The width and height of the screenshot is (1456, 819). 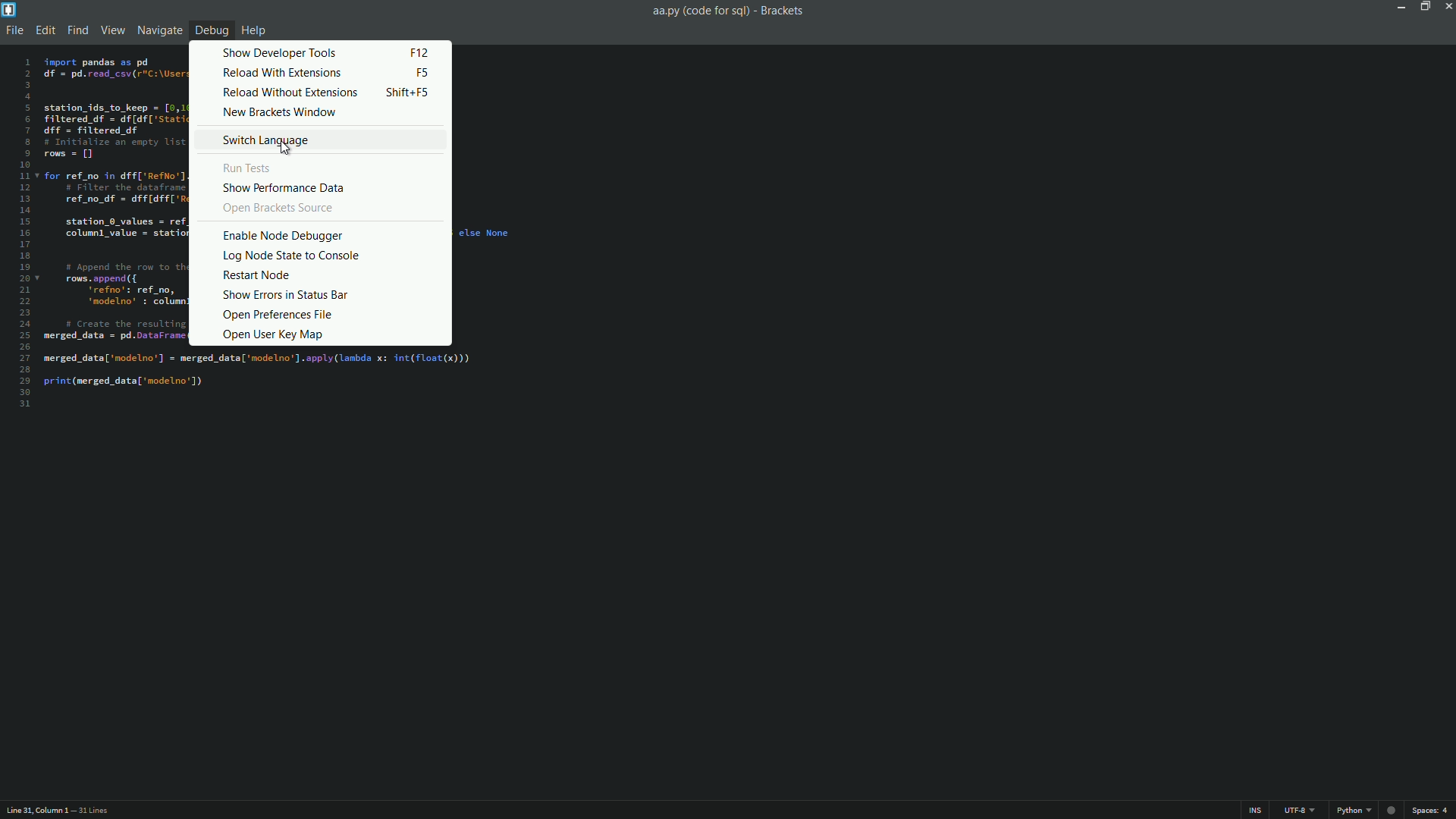 What do you see at coordinates (9, 9) in the screenshot?
I see `app icon` at bounding box center [9, 9].